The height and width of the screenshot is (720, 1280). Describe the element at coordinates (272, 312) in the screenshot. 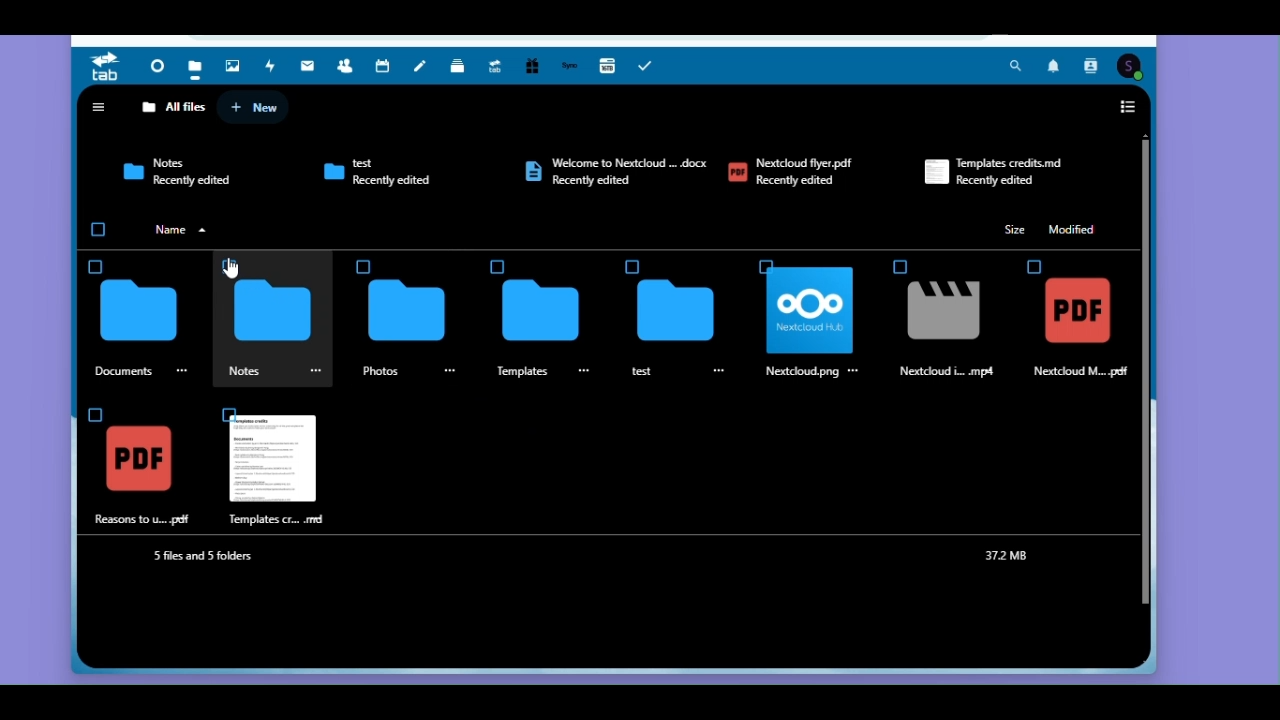

I see `Icon` at that location.